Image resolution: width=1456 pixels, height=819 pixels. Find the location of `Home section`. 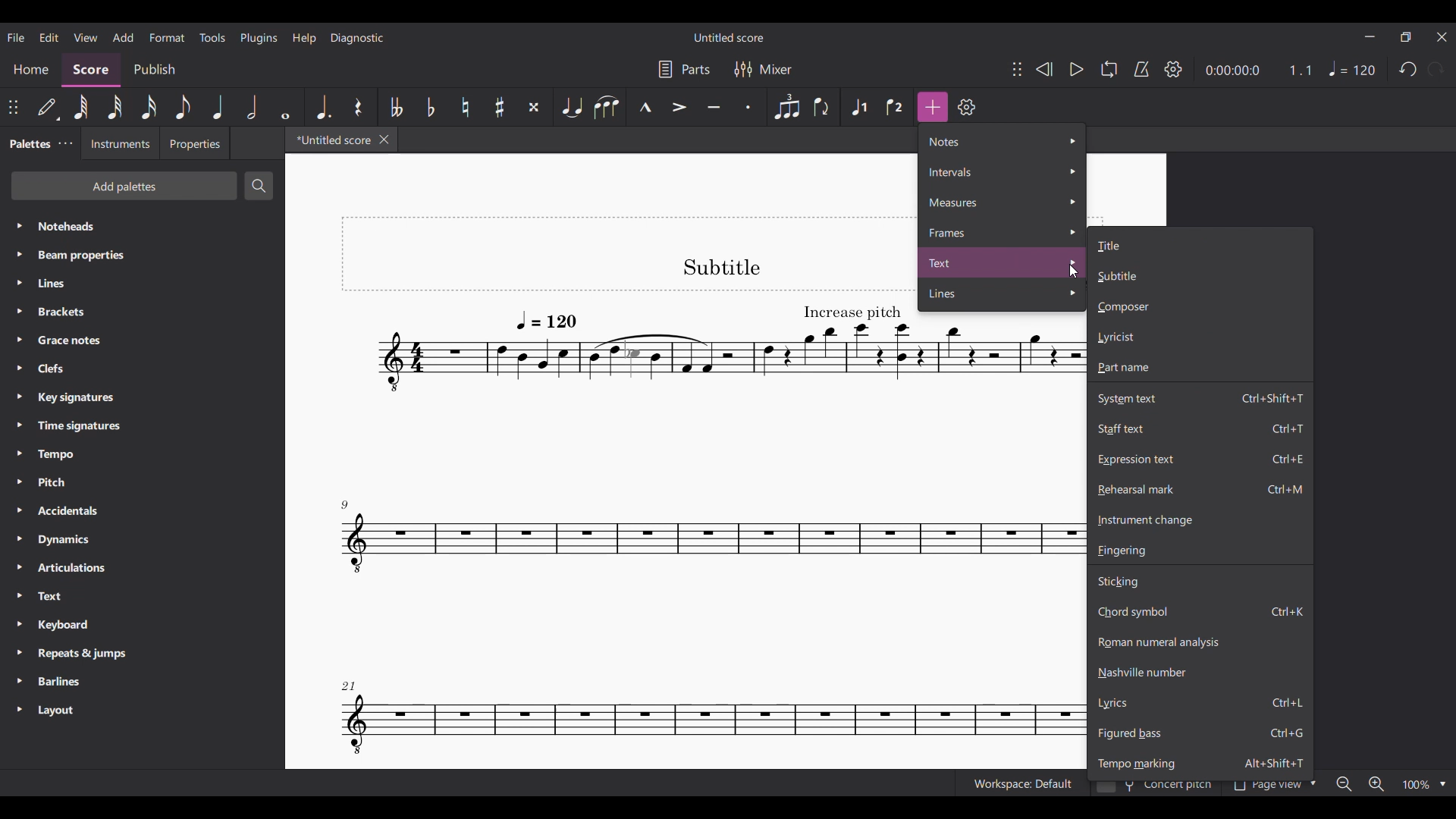

Home section is located at coordinates (31, 70).